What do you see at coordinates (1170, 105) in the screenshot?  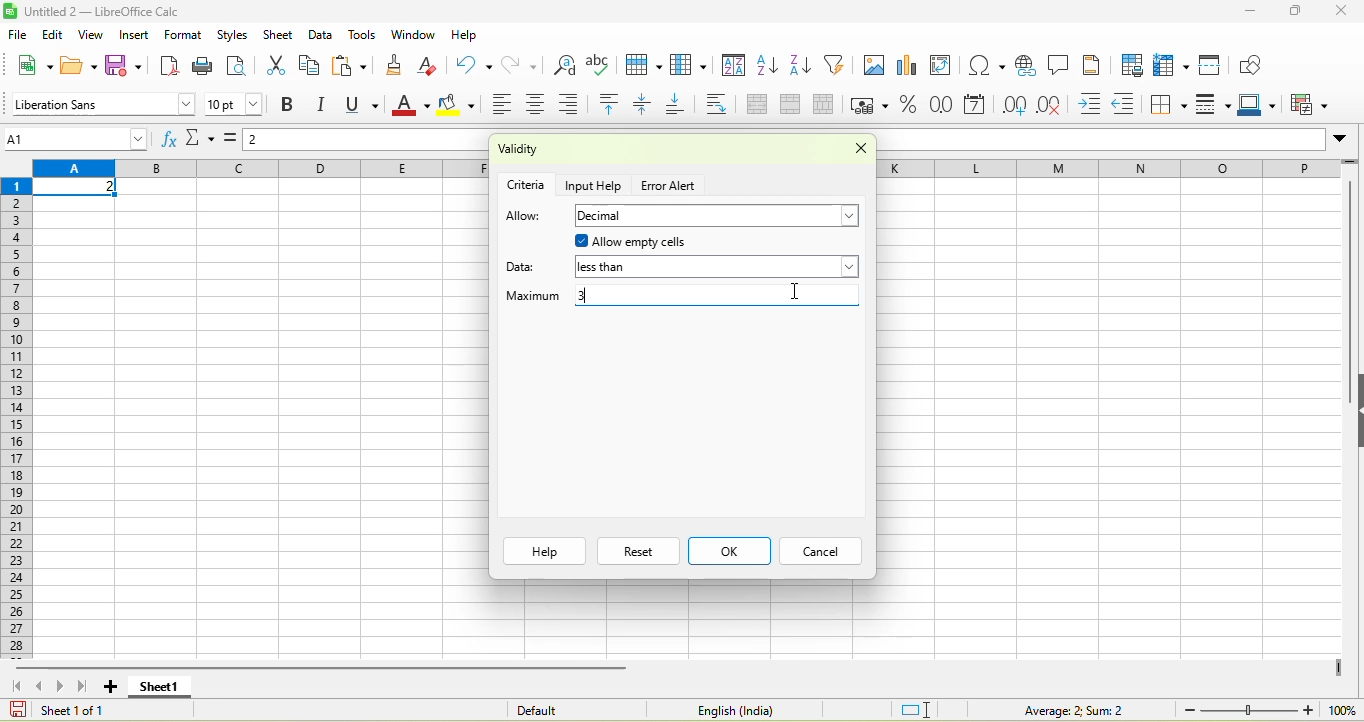 I see `borders` at bounding box center [1170, 105].